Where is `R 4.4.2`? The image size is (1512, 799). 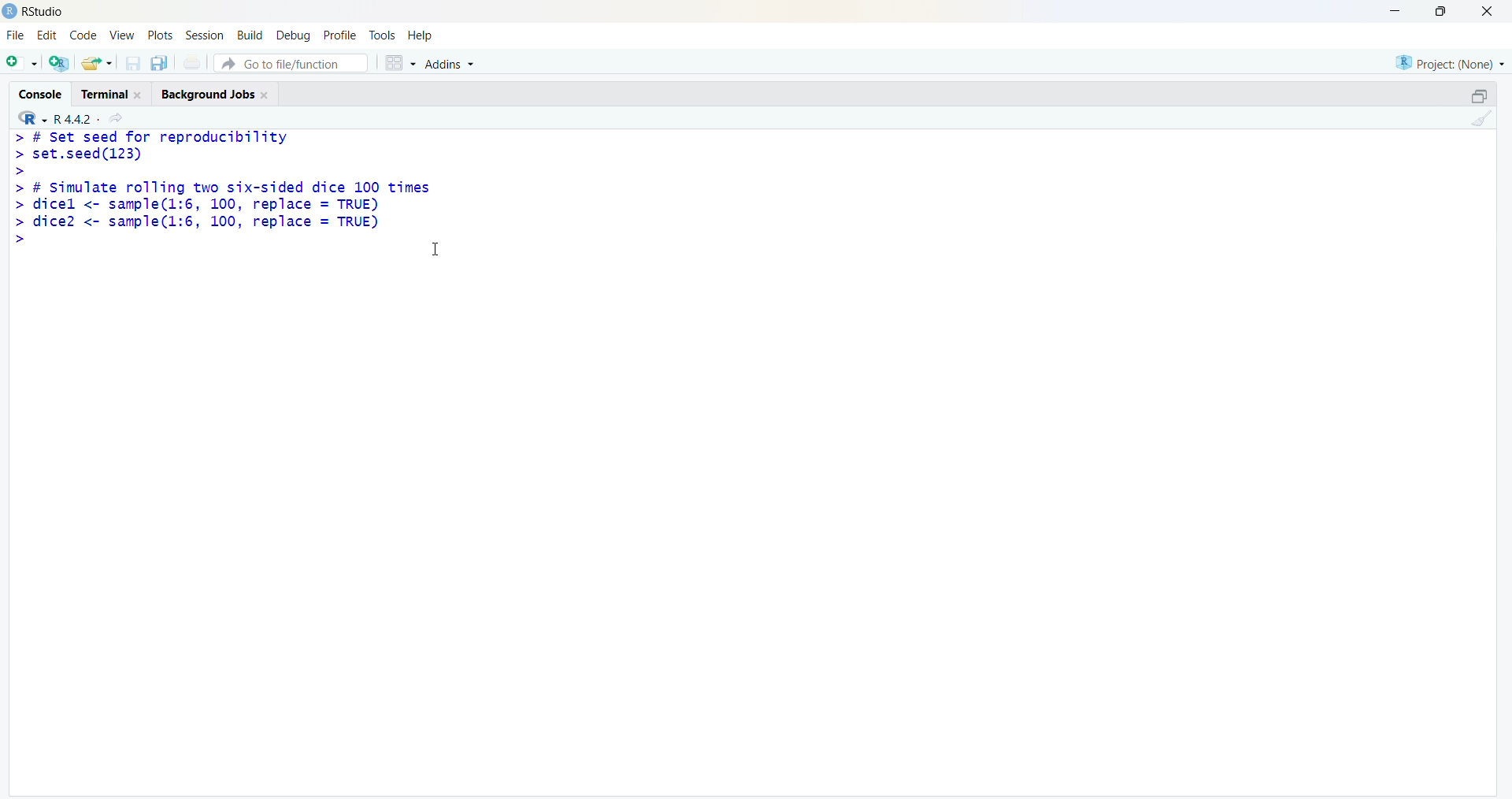
R 4.4.2 is located at coordinates (77, 120).